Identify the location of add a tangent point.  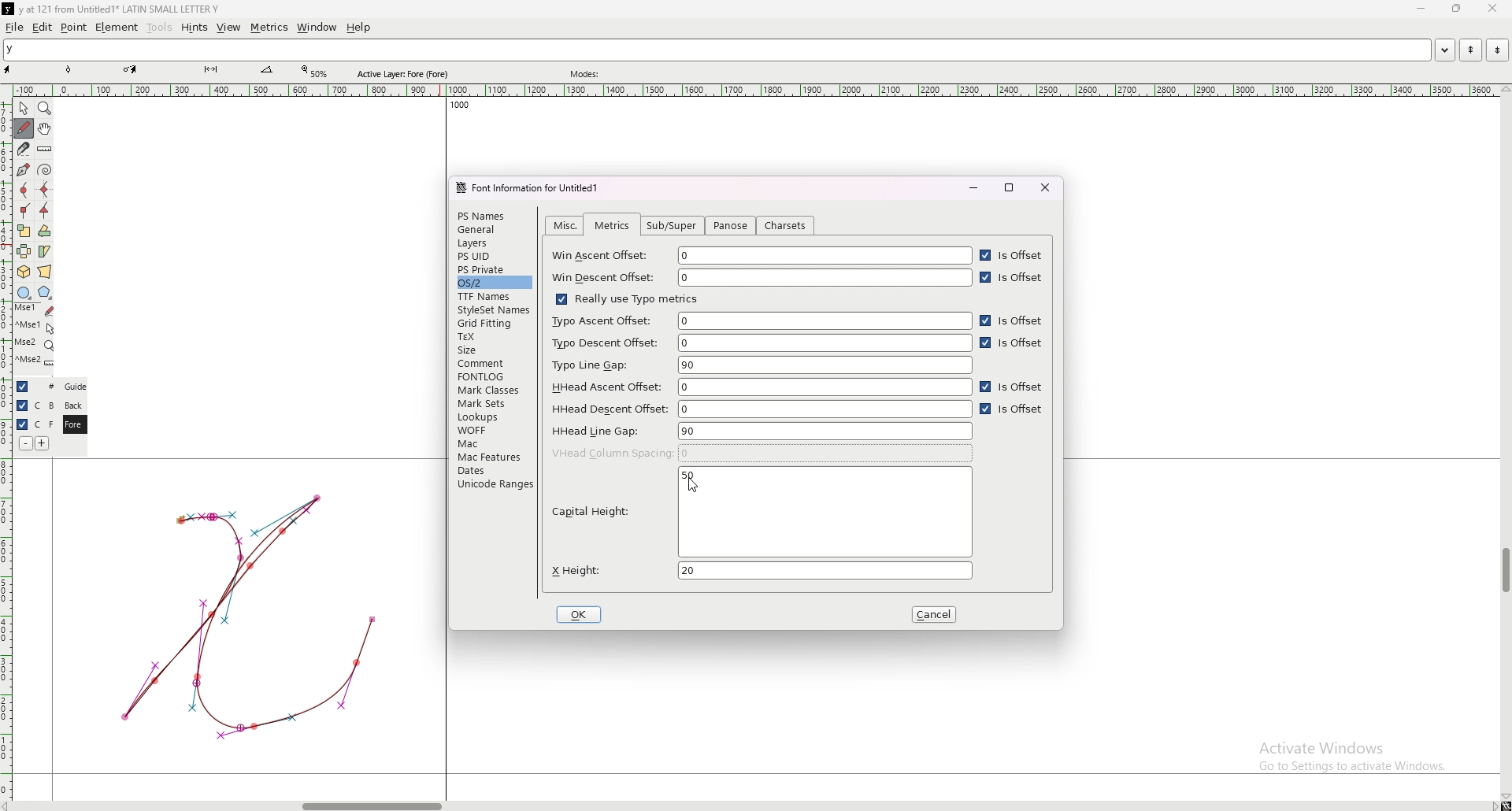
(45, 211).